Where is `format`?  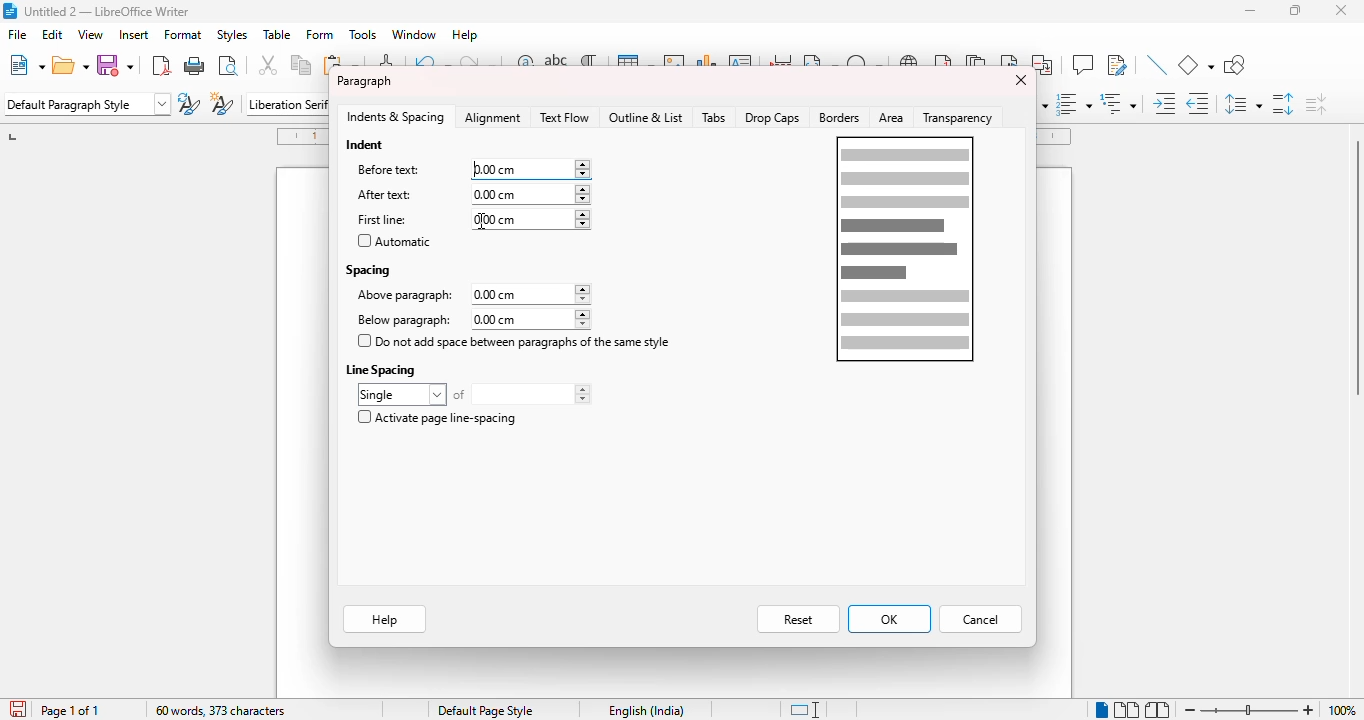 format is located at coordinates (183, 35).